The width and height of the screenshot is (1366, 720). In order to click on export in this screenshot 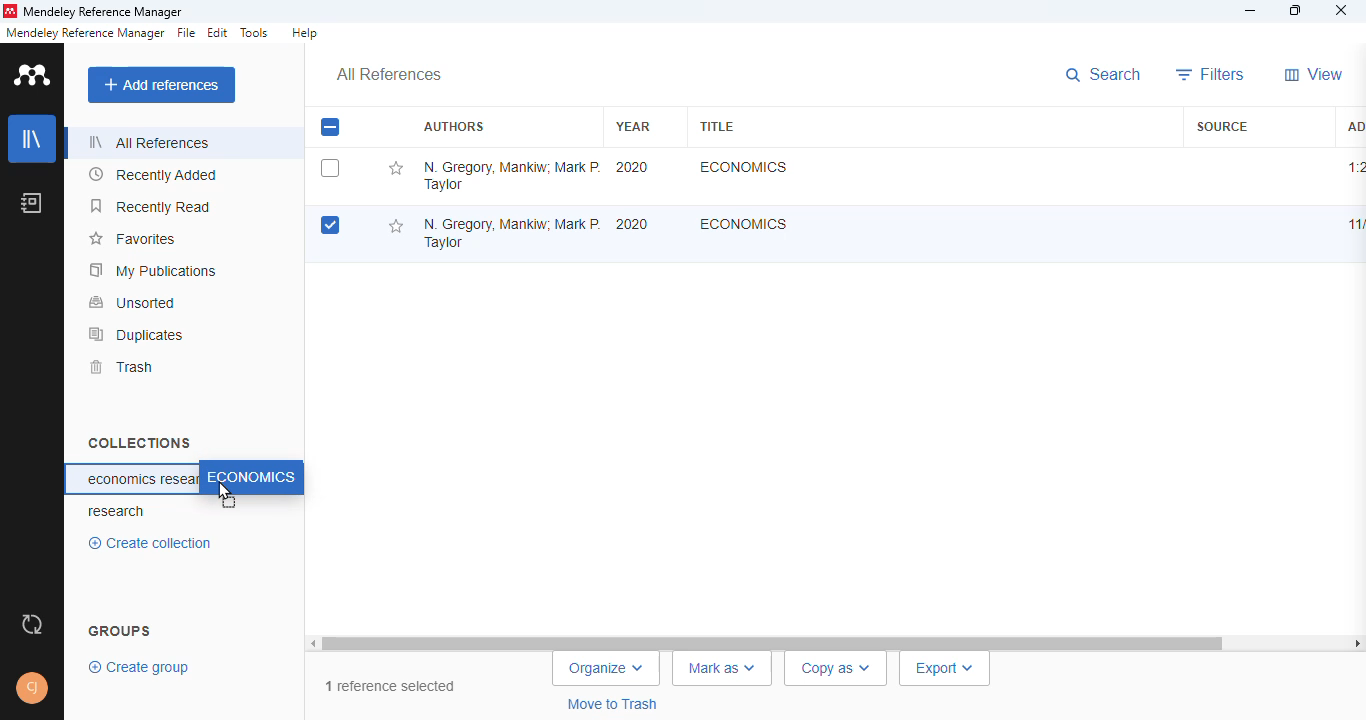, I will do `click(943, 670)`.